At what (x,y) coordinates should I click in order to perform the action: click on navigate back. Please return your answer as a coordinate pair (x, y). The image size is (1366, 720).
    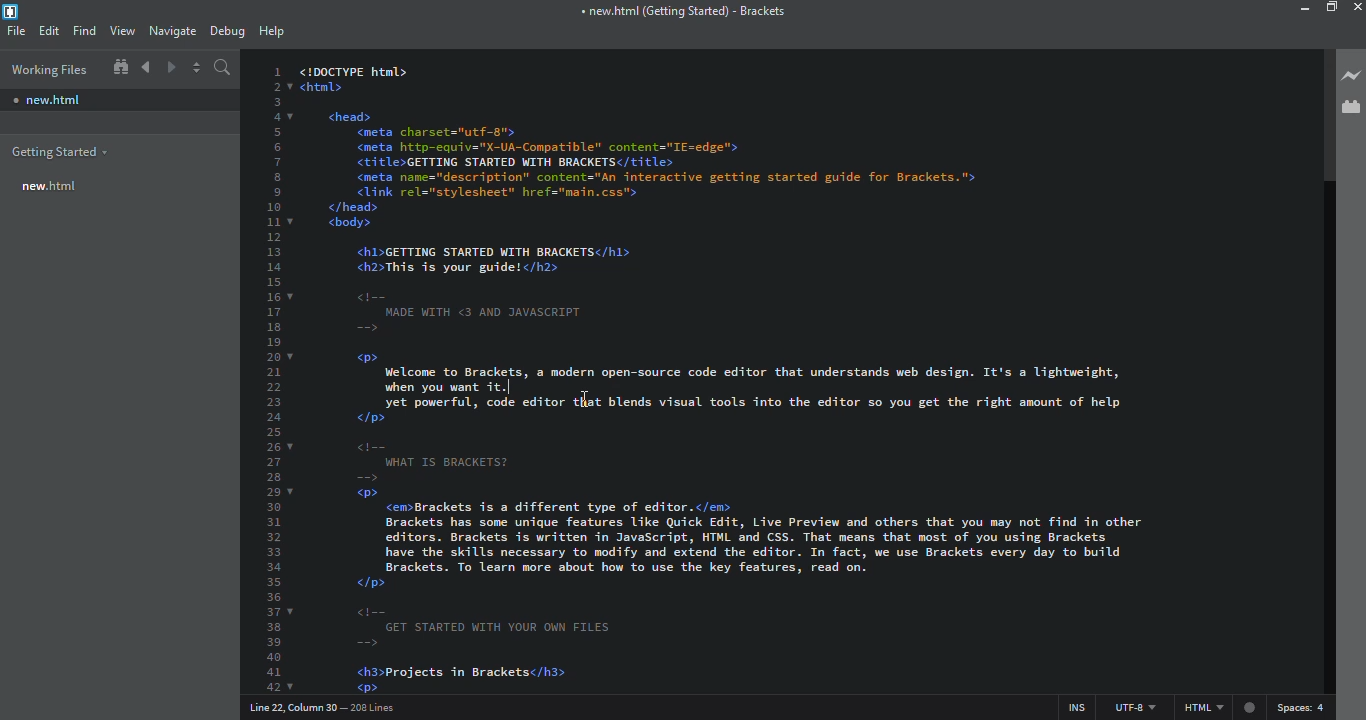
    Looking at the image, I should click on (147, 66).